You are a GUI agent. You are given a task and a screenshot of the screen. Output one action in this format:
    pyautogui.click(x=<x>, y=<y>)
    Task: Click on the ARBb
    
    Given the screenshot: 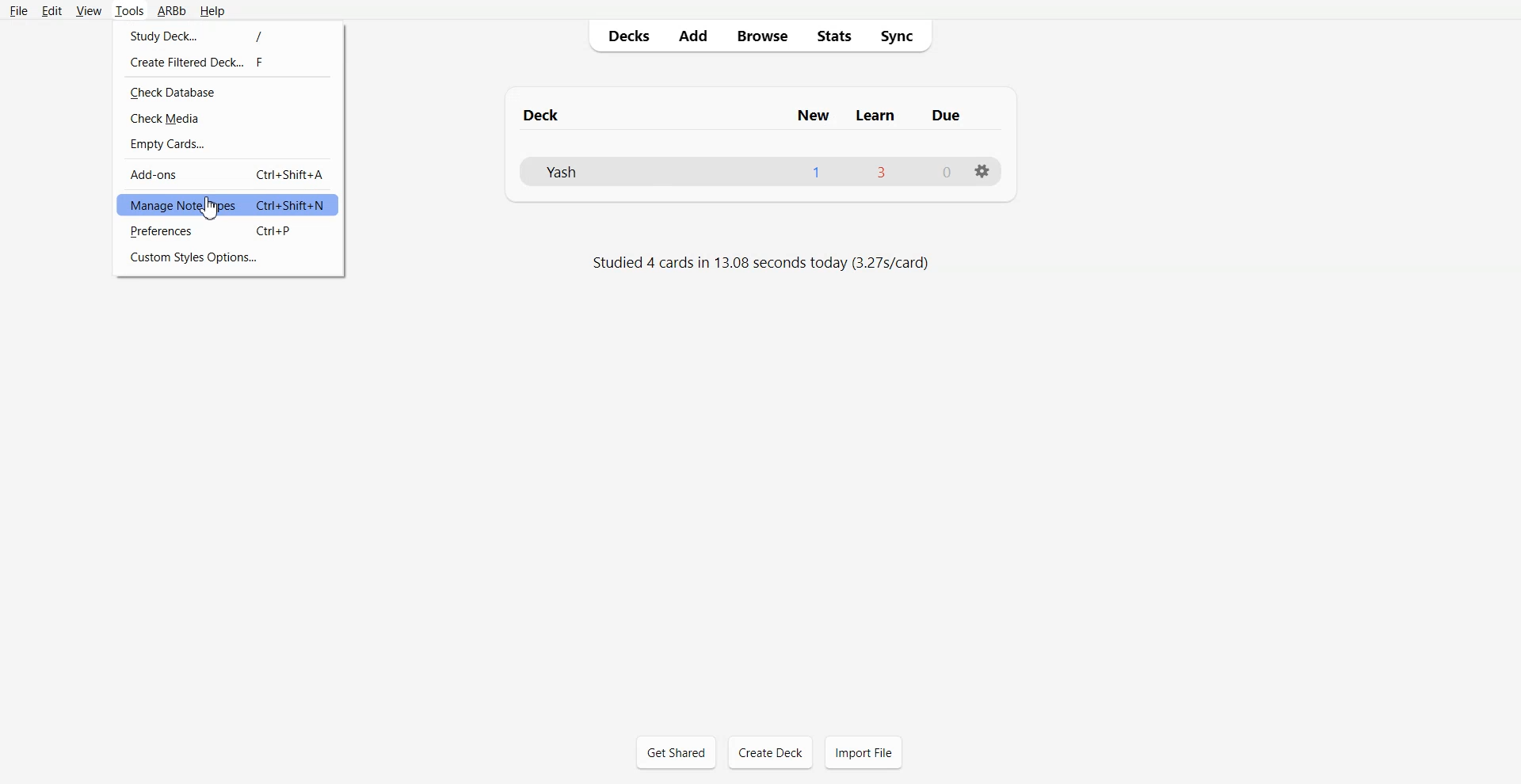 What is the action you would take?
    pyautogui.click(x=171, y=12)
    